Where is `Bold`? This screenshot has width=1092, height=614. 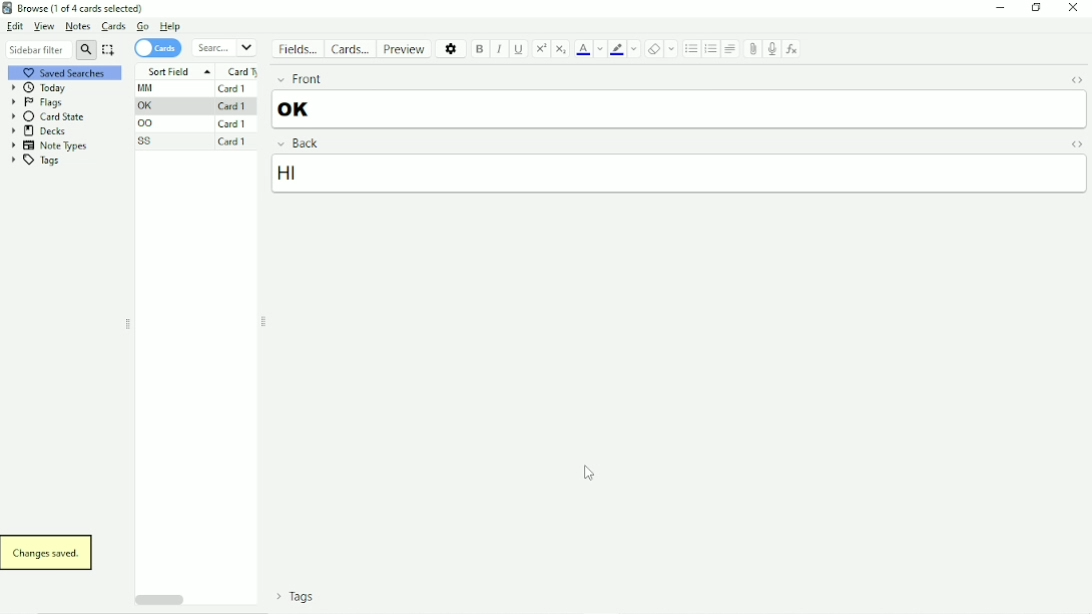 Bold is located at coordinates (481, 49).